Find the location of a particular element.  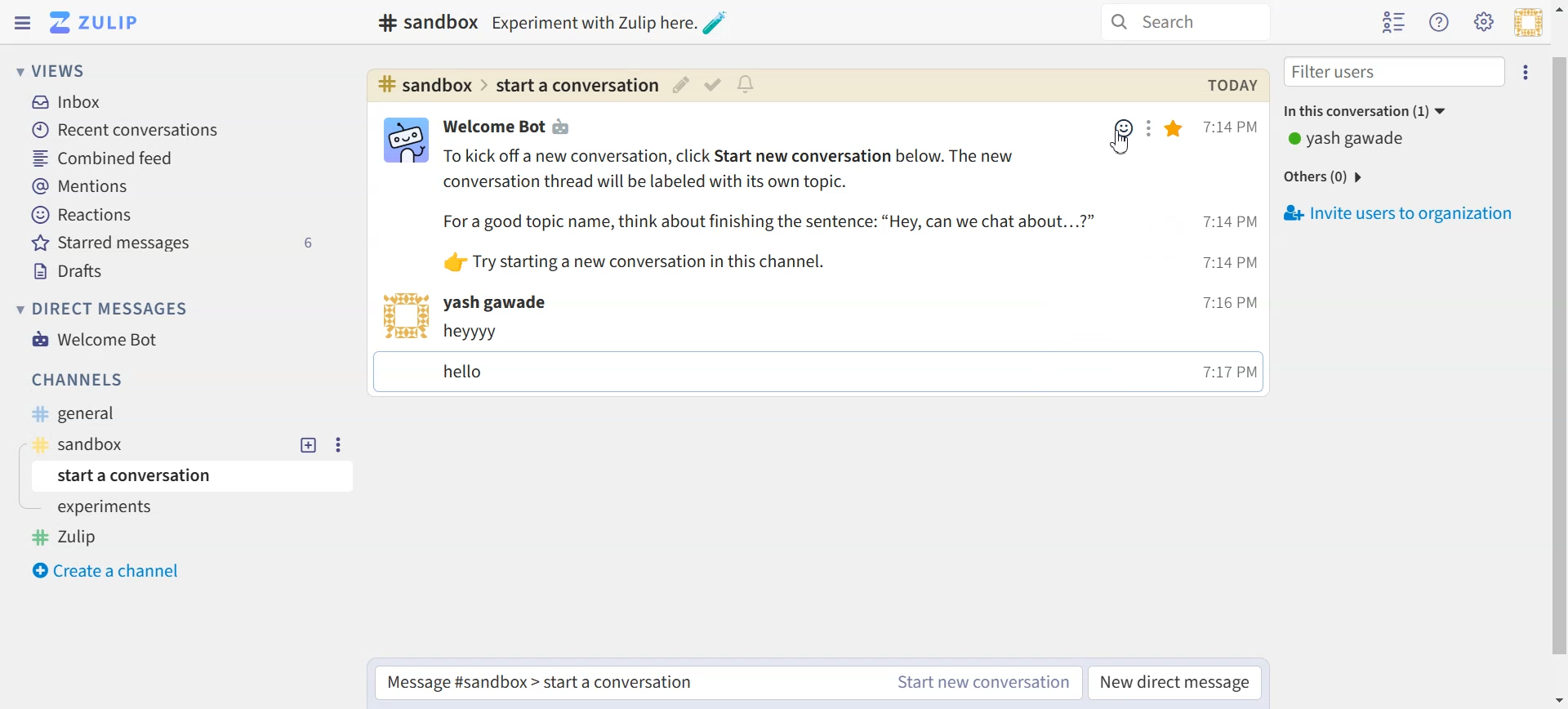

Vertical scroll bar is located at coordinates (1558, 354).